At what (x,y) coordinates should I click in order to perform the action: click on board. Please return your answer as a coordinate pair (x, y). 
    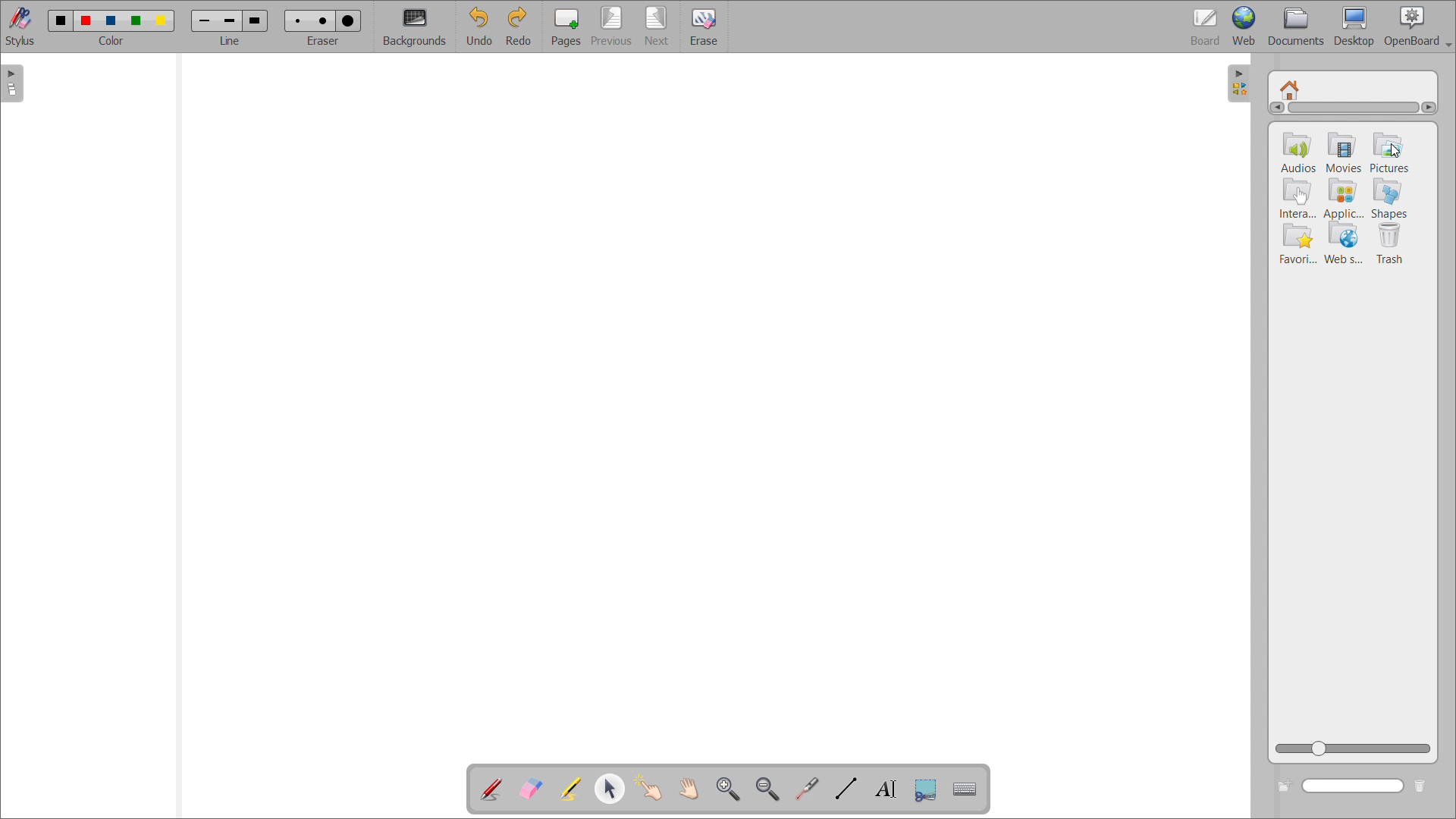
    Looking at the image, I should click on (1206, 27).